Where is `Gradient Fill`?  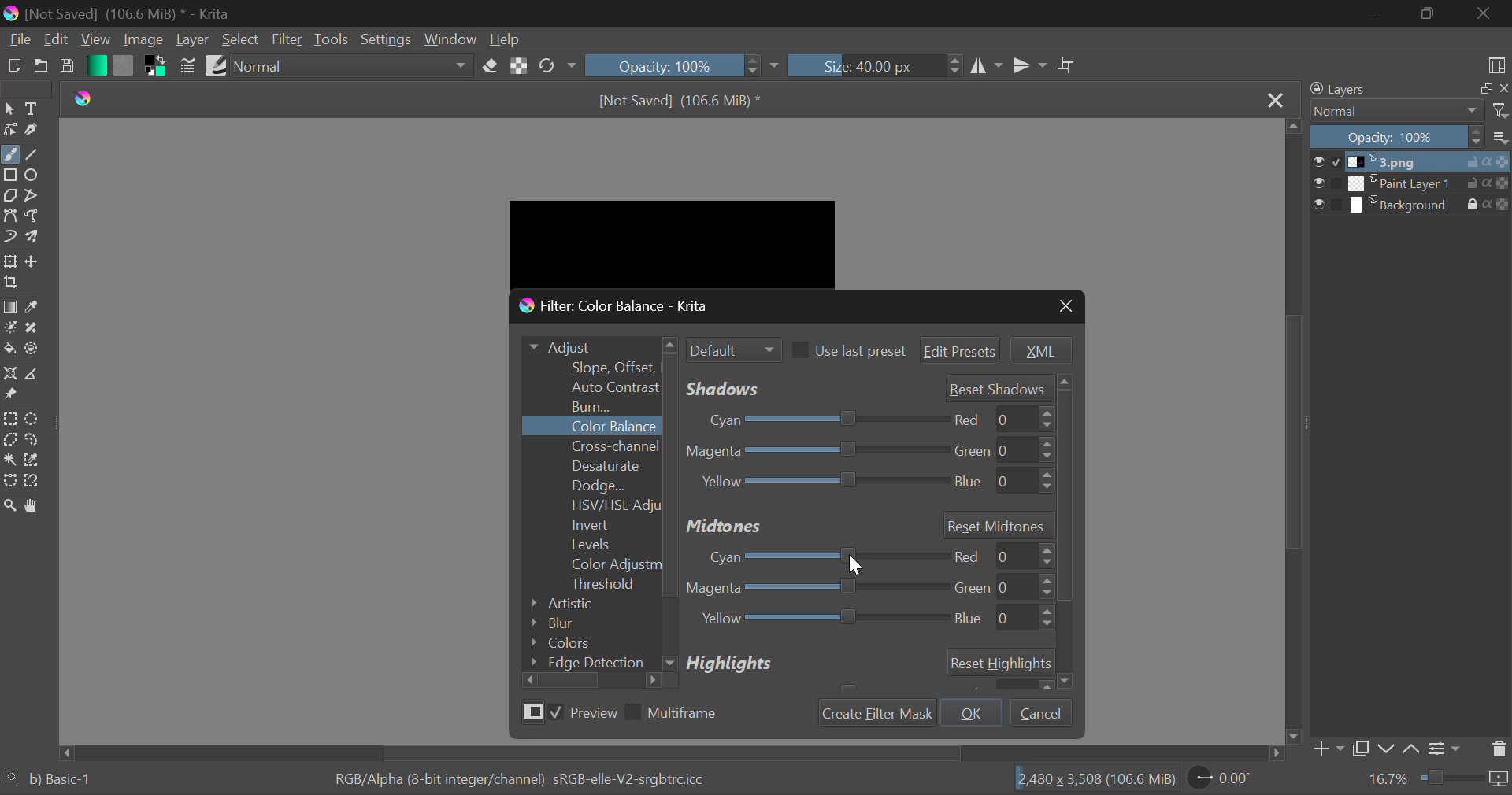 Gradient Fill is located at coordinates (10, 307).